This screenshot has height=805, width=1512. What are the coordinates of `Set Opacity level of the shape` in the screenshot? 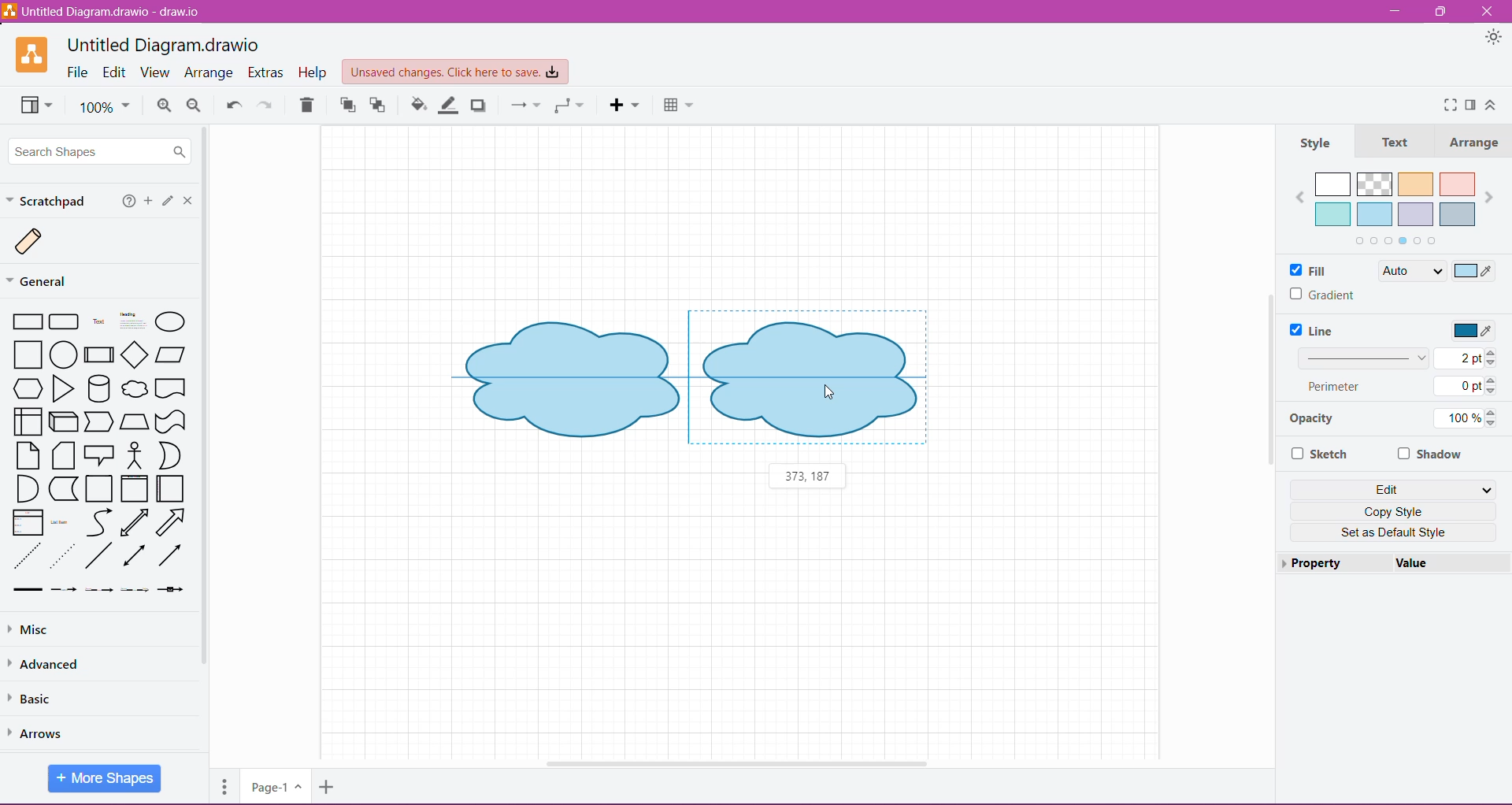 It's located at (1470, 419).